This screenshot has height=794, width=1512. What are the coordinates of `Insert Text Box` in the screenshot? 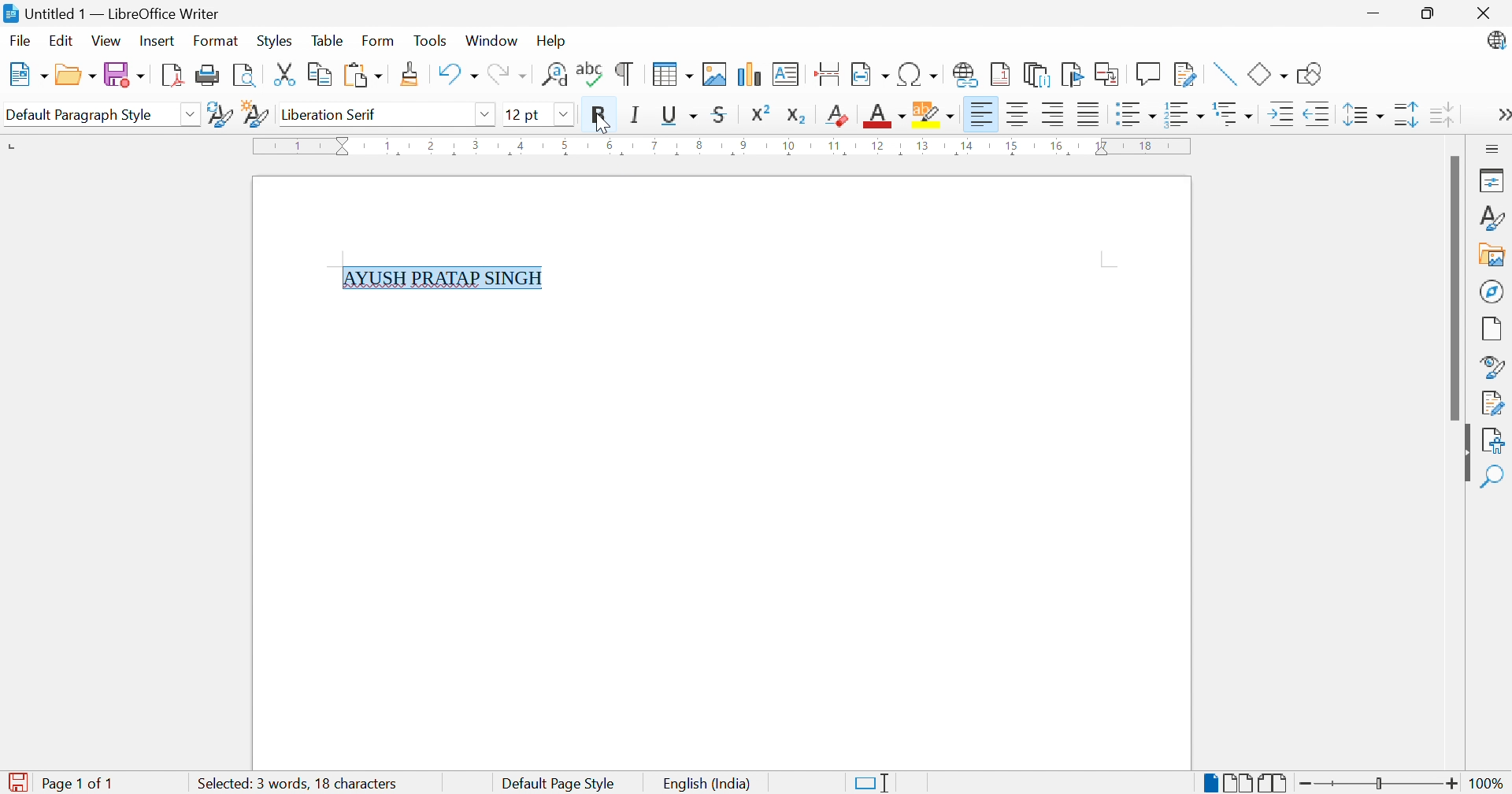 It's located at (787, 73).